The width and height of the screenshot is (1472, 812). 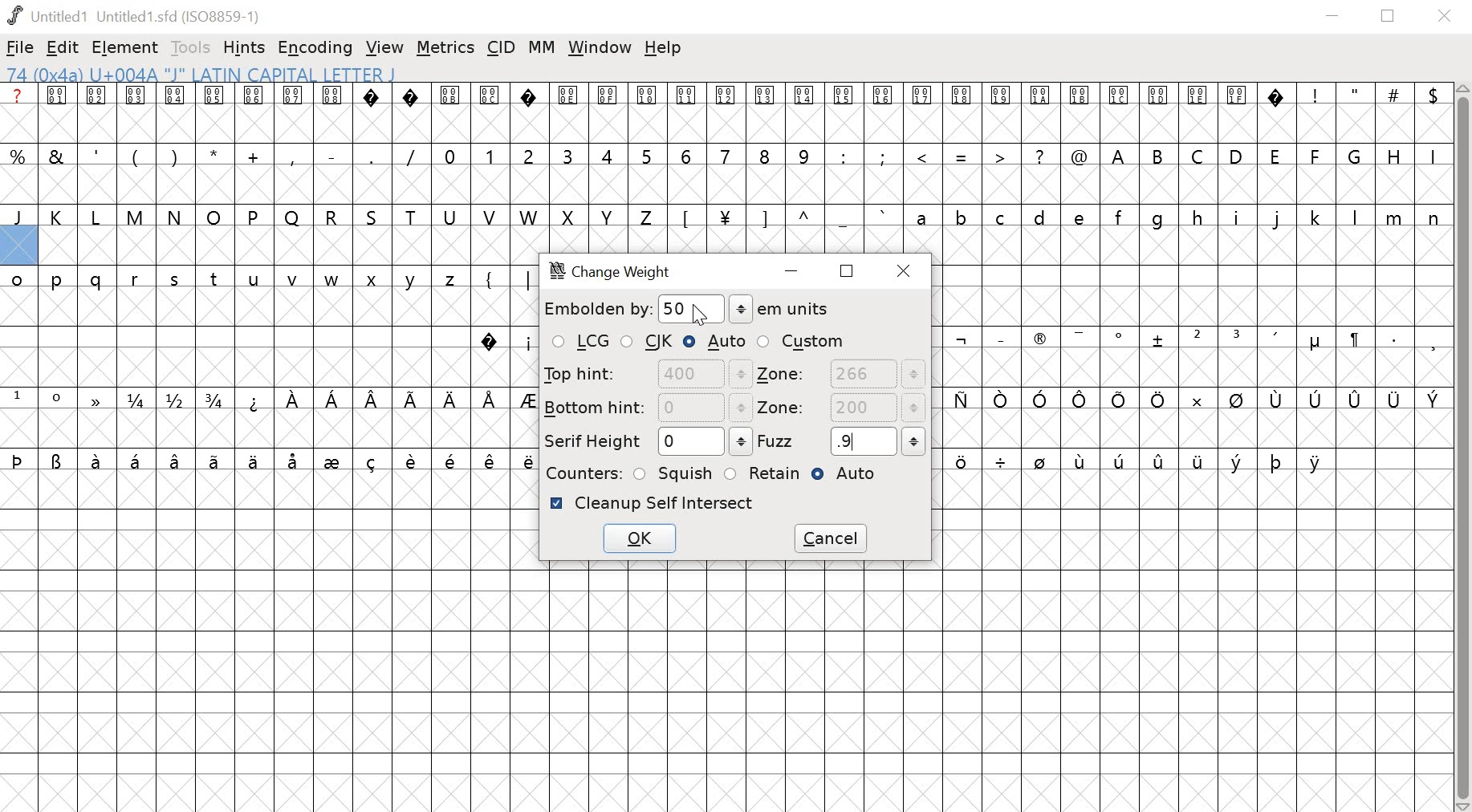 I want to click on embolden by, so click(x=634, y=307).